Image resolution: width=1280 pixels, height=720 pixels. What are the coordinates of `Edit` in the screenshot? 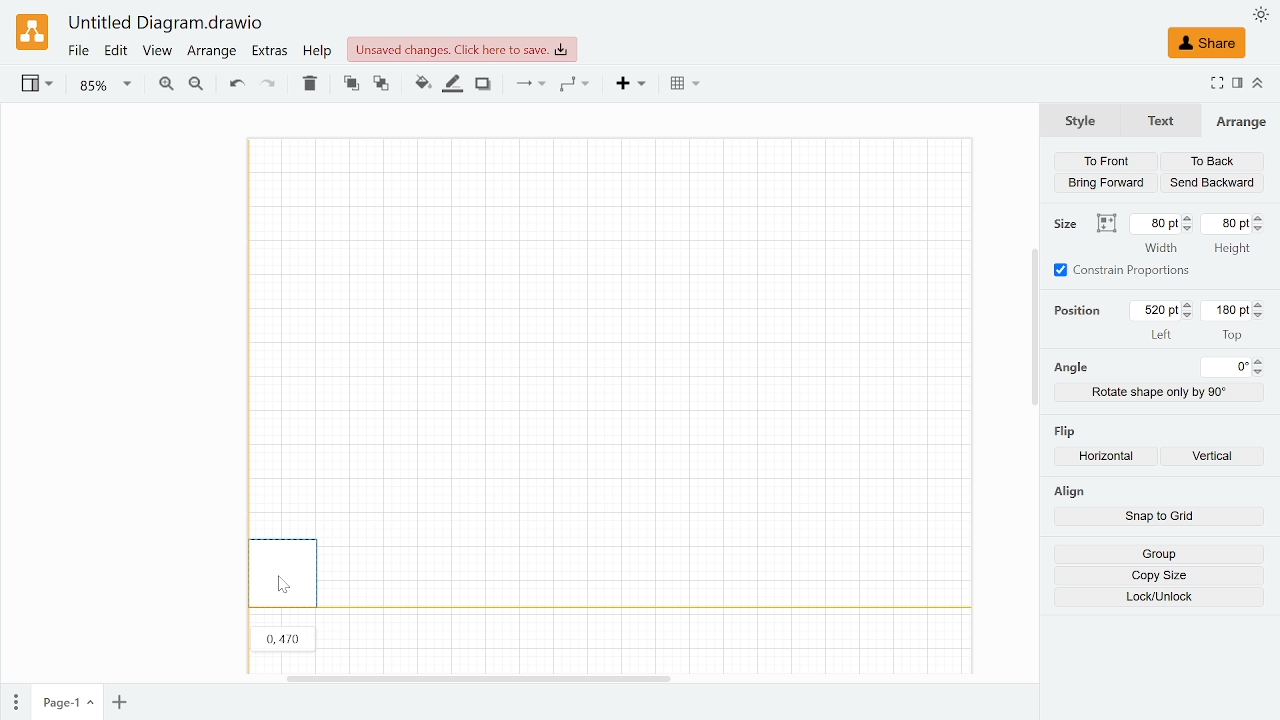 It's located at (117, 51).